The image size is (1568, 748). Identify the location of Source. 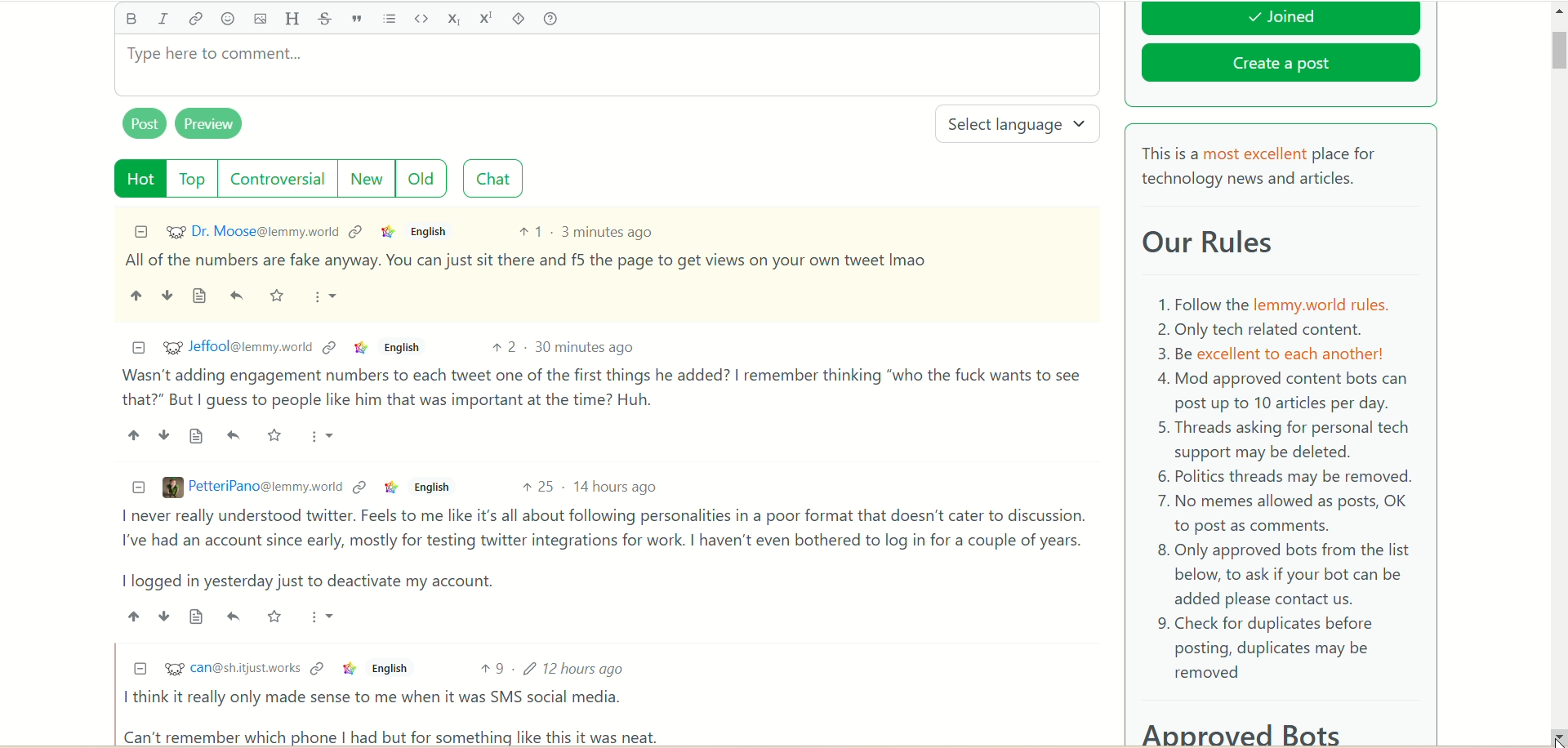
(198, 616).